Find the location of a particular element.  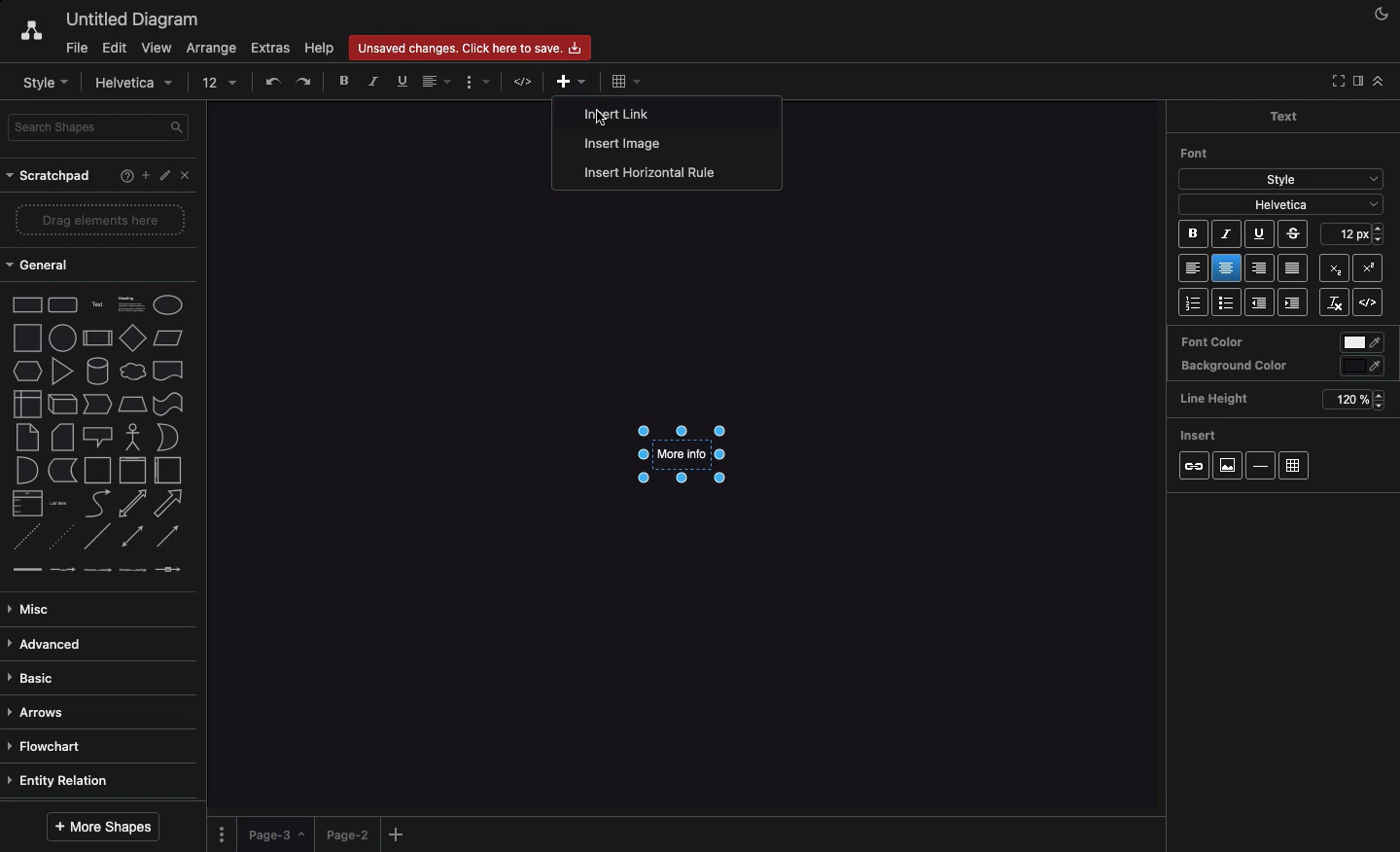

More info is located at coordinates (681, 454).